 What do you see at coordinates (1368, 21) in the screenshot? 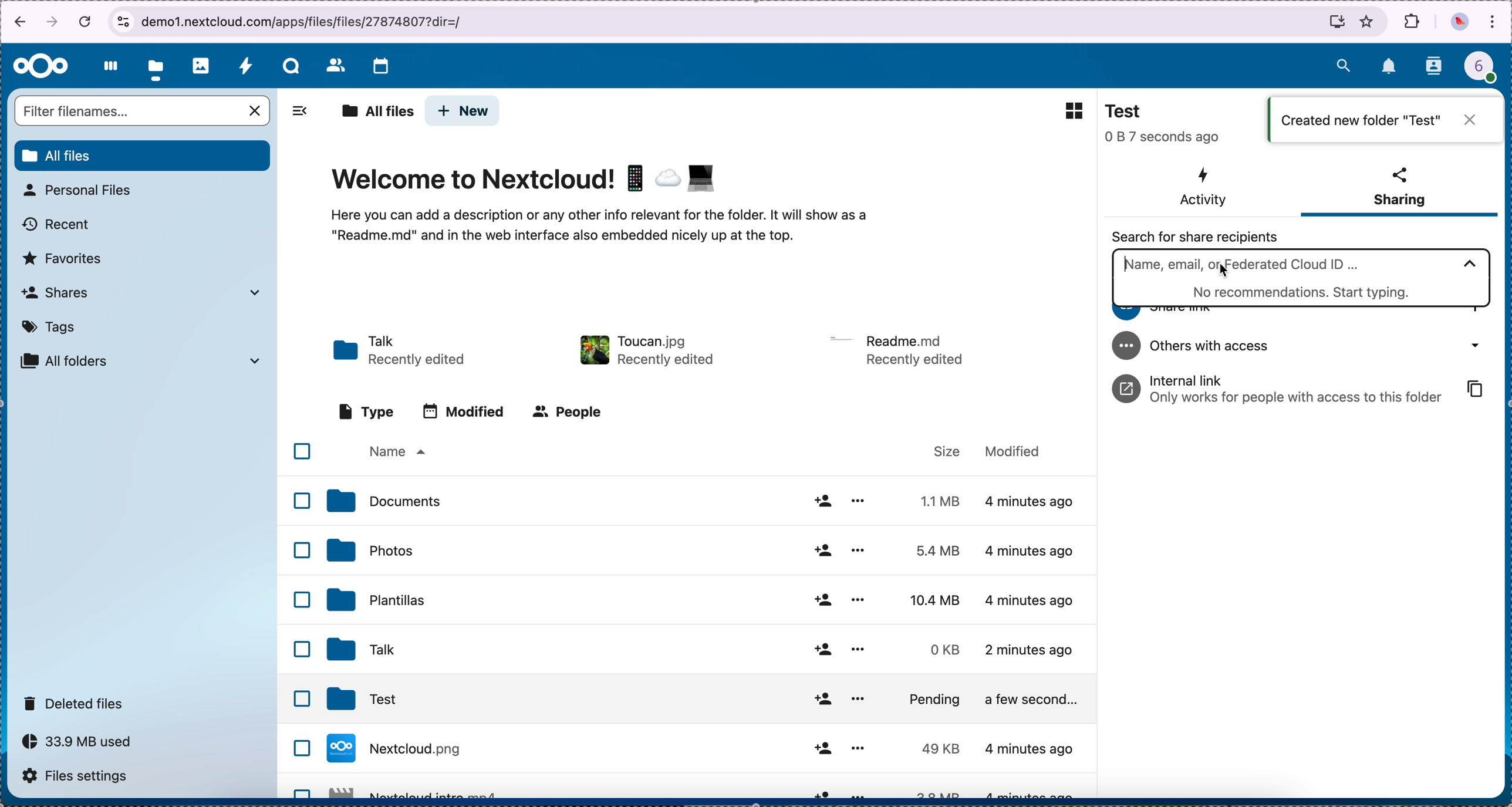
I see `favorites` at bounding box center [1368, 21].